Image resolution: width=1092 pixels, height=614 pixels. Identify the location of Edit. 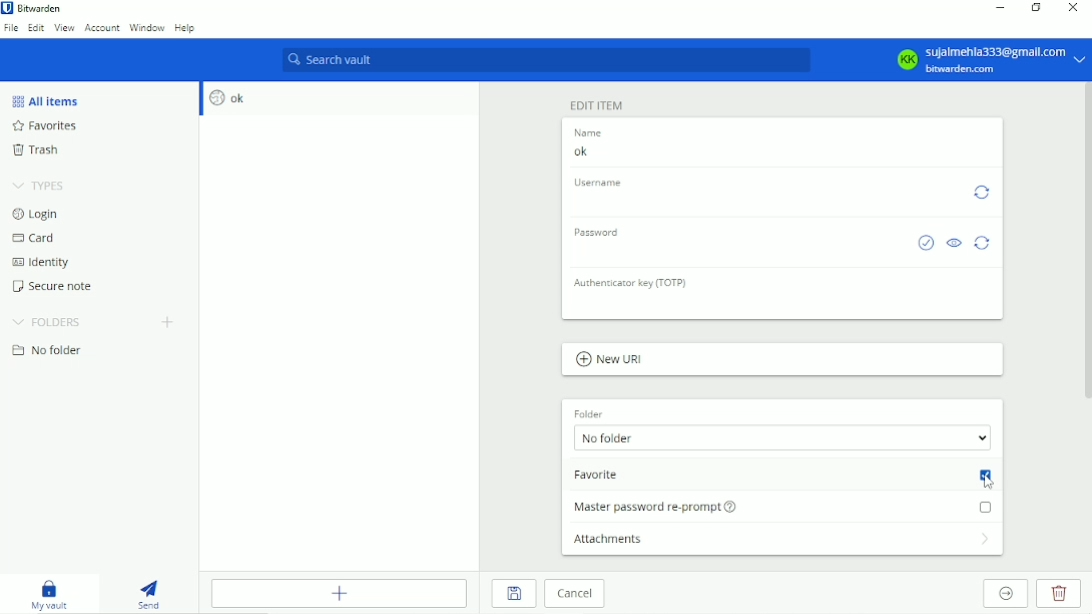
(34, 28).